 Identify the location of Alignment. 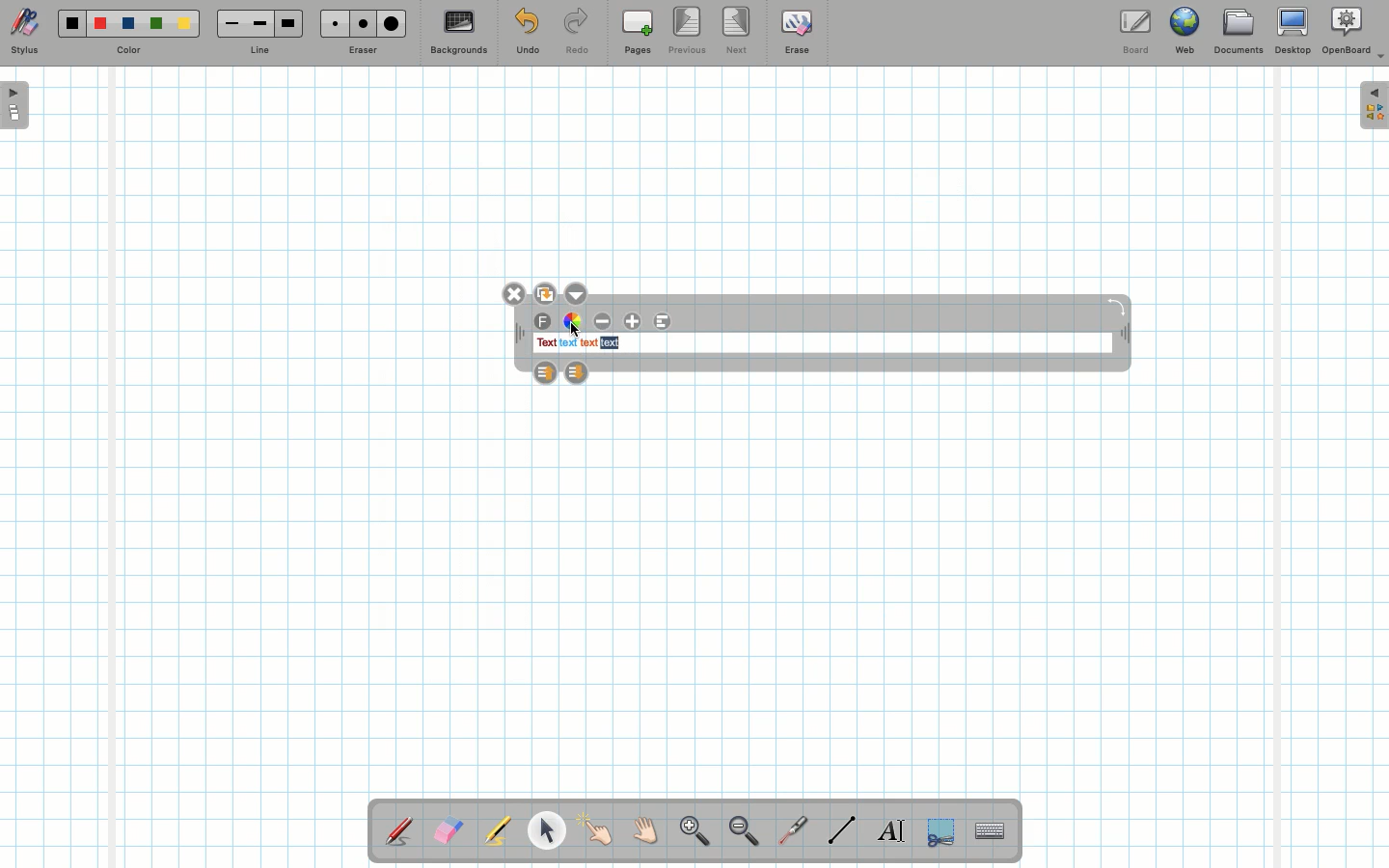
(666, 322).